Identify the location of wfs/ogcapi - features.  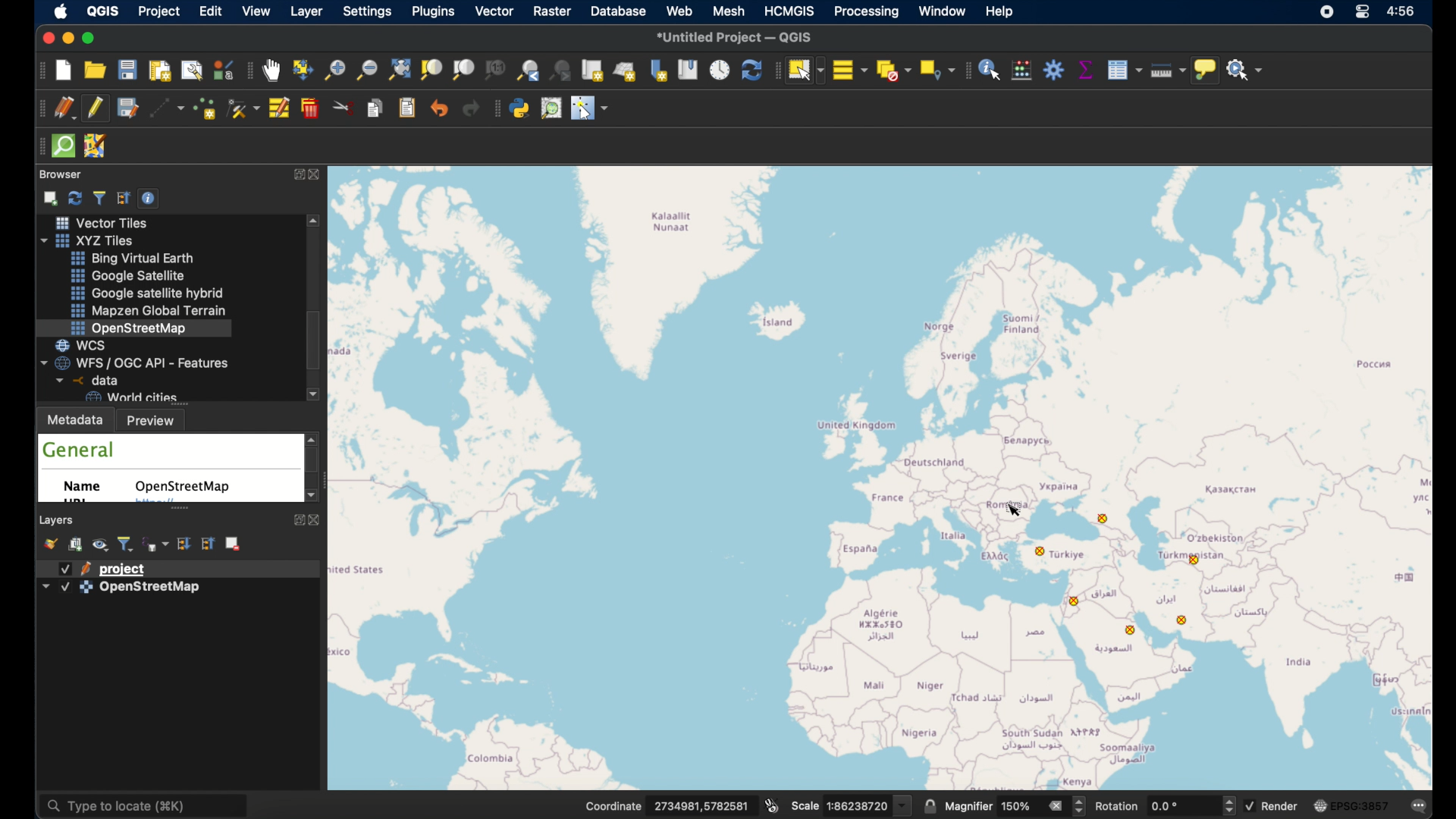
(136, 362).